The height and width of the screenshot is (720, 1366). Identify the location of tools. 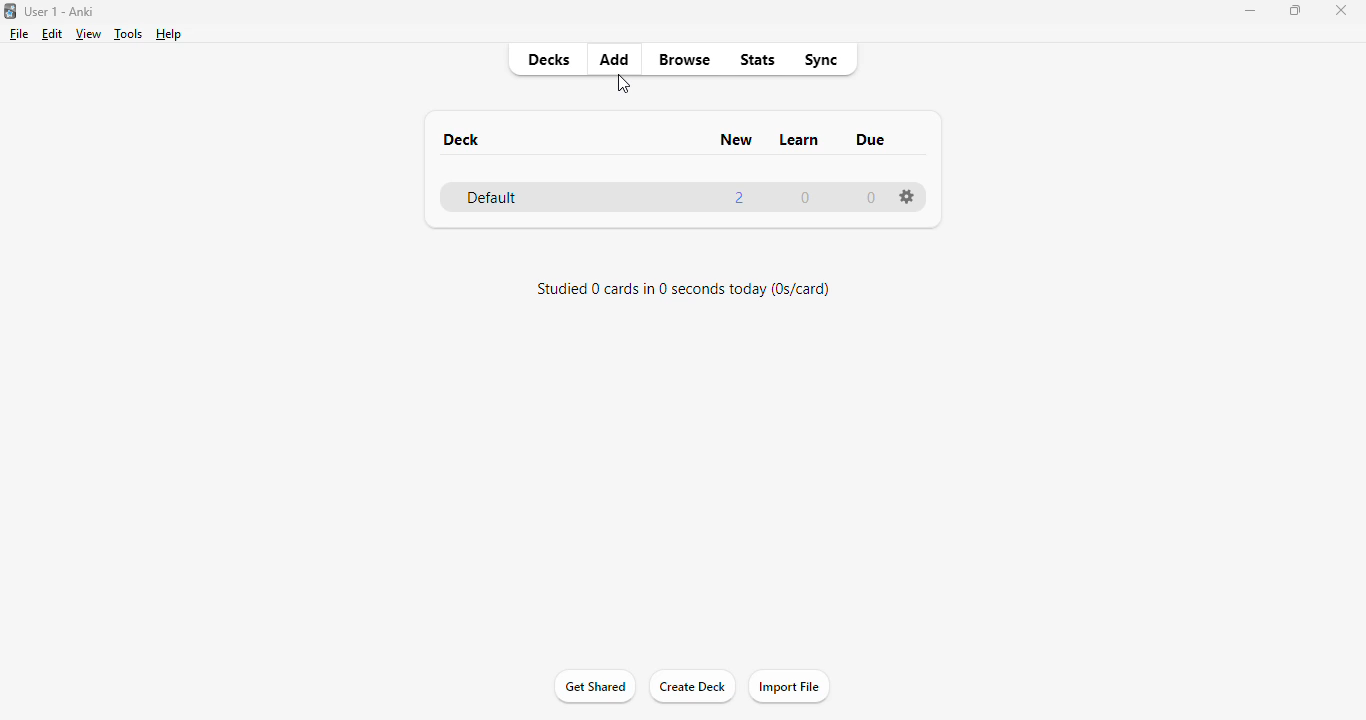
(129, 33).